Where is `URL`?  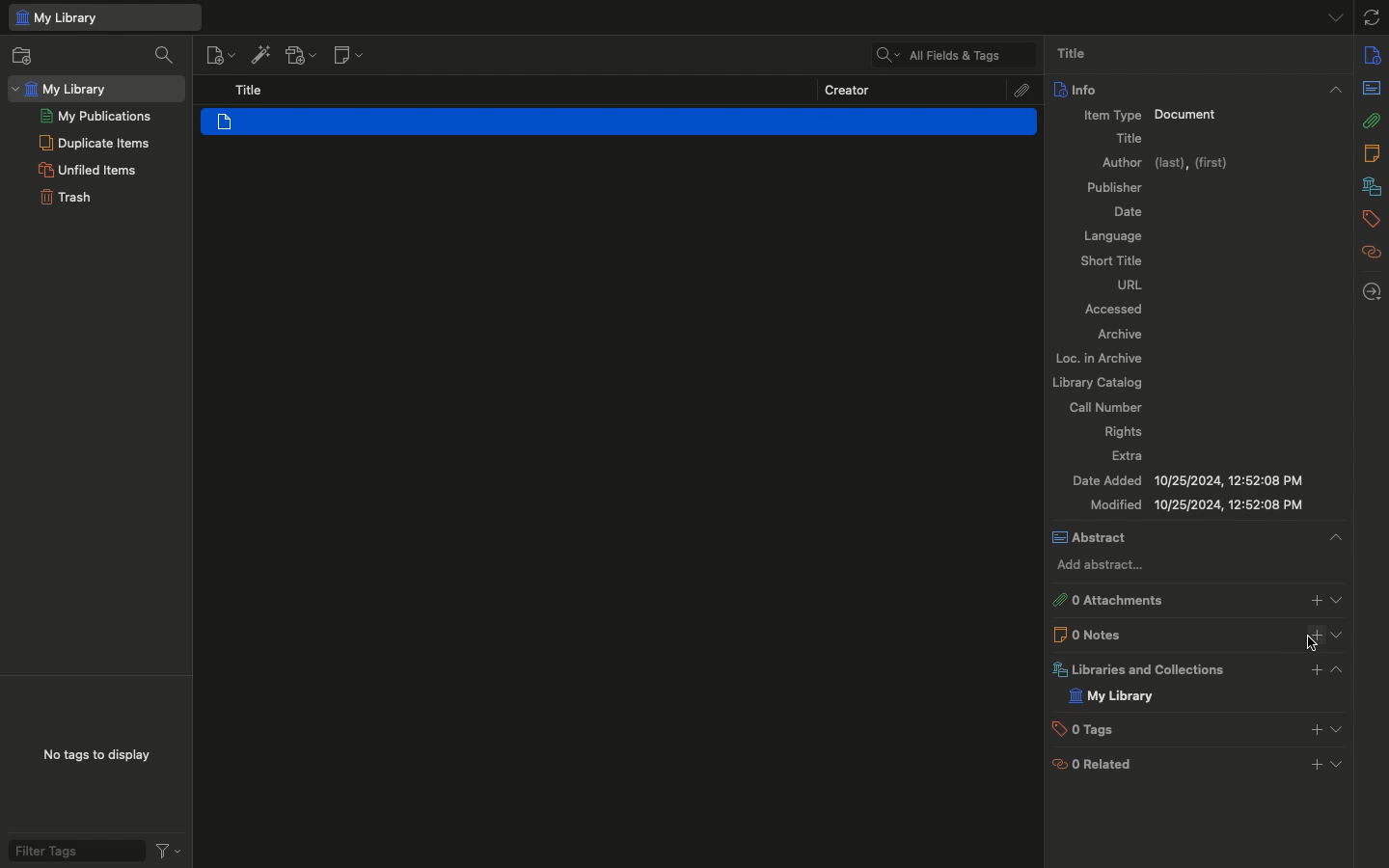 URL is located at coordinates (1133, 285).